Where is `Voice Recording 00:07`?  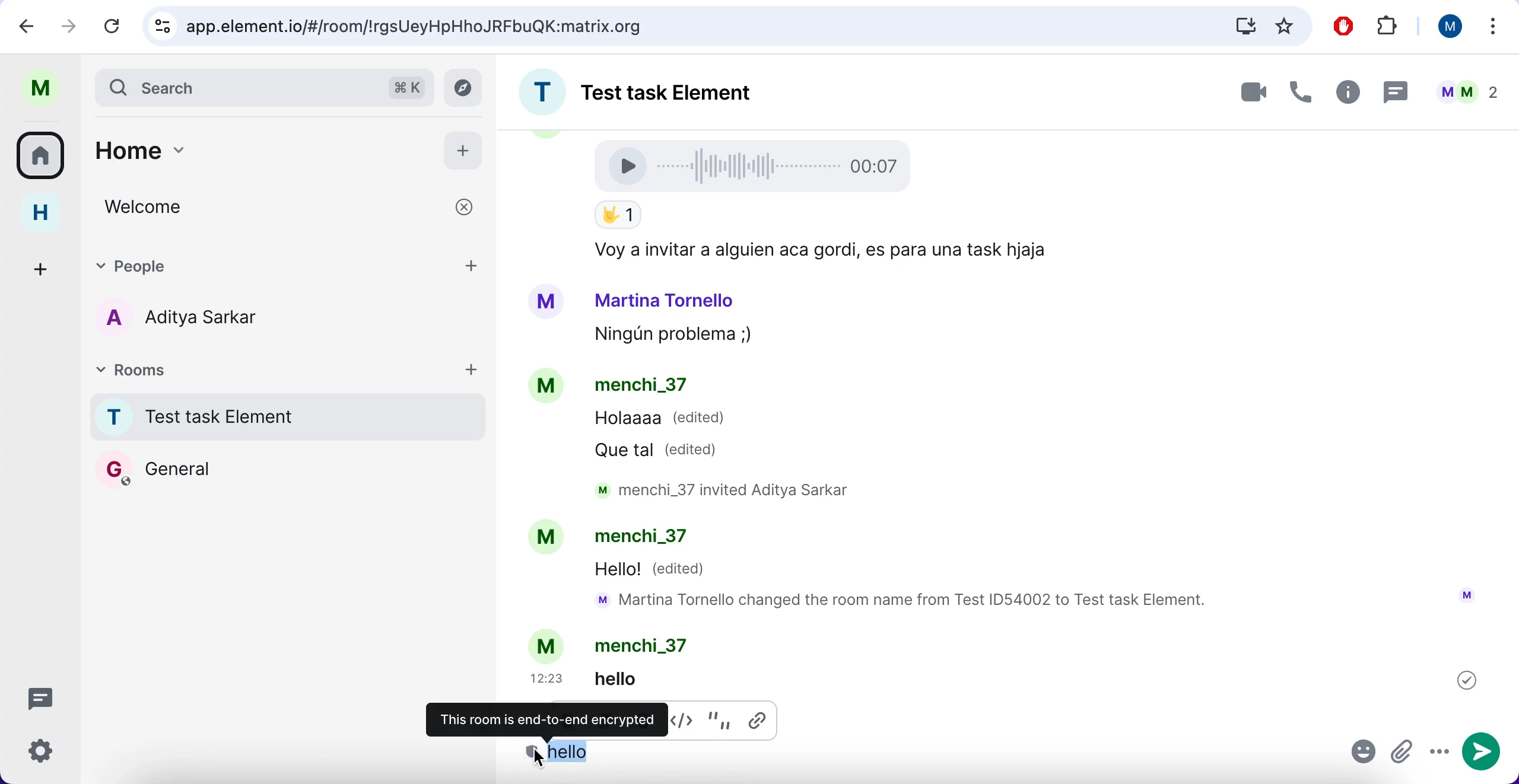 Voice Recording 00:07 is located at coordinates (757, 165).